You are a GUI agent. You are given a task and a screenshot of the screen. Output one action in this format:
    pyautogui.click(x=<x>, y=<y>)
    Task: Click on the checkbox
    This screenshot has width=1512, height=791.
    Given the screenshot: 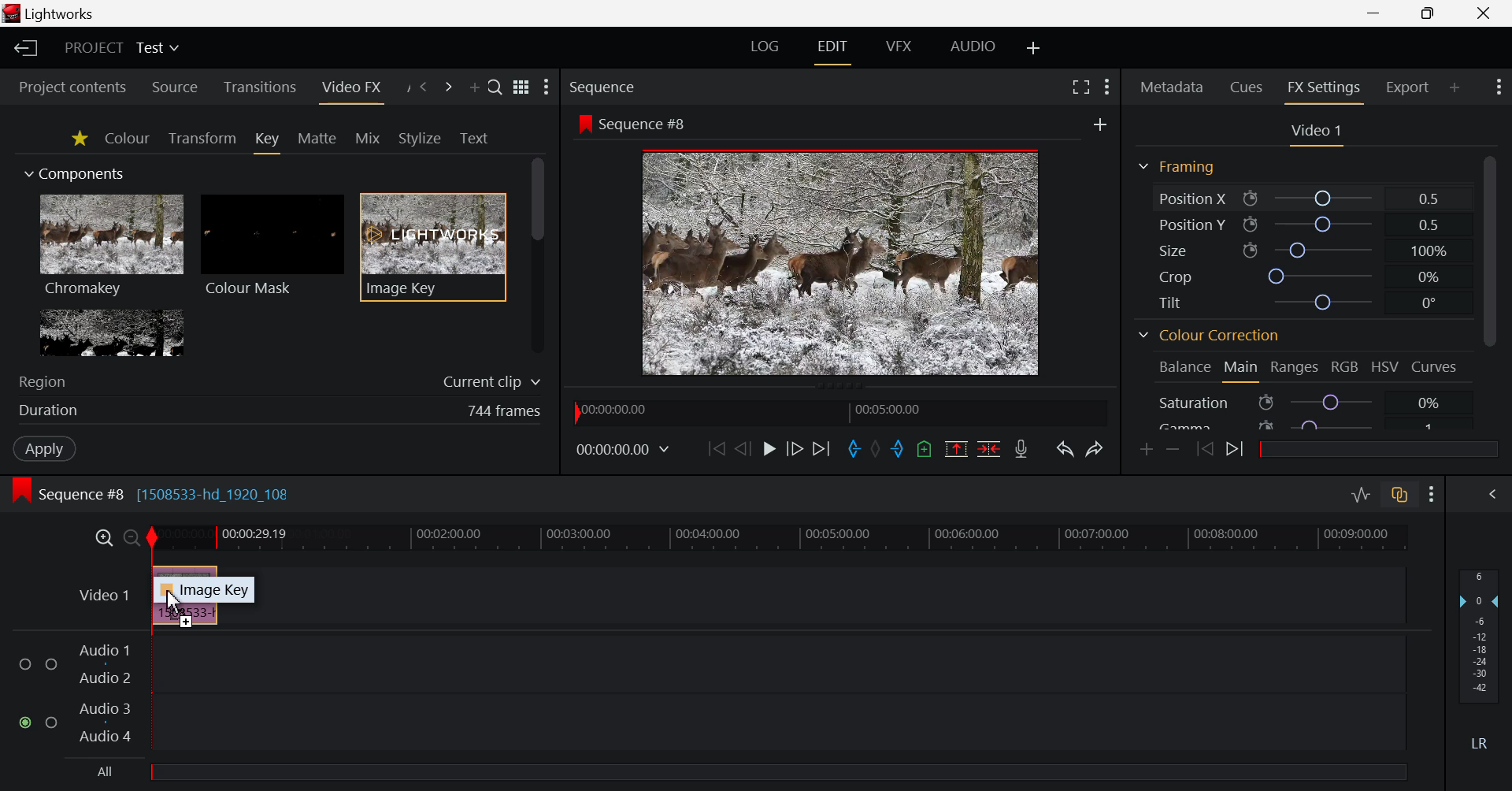 What is the action you would take?
    pyautogui.click(x=25, y=662)
    